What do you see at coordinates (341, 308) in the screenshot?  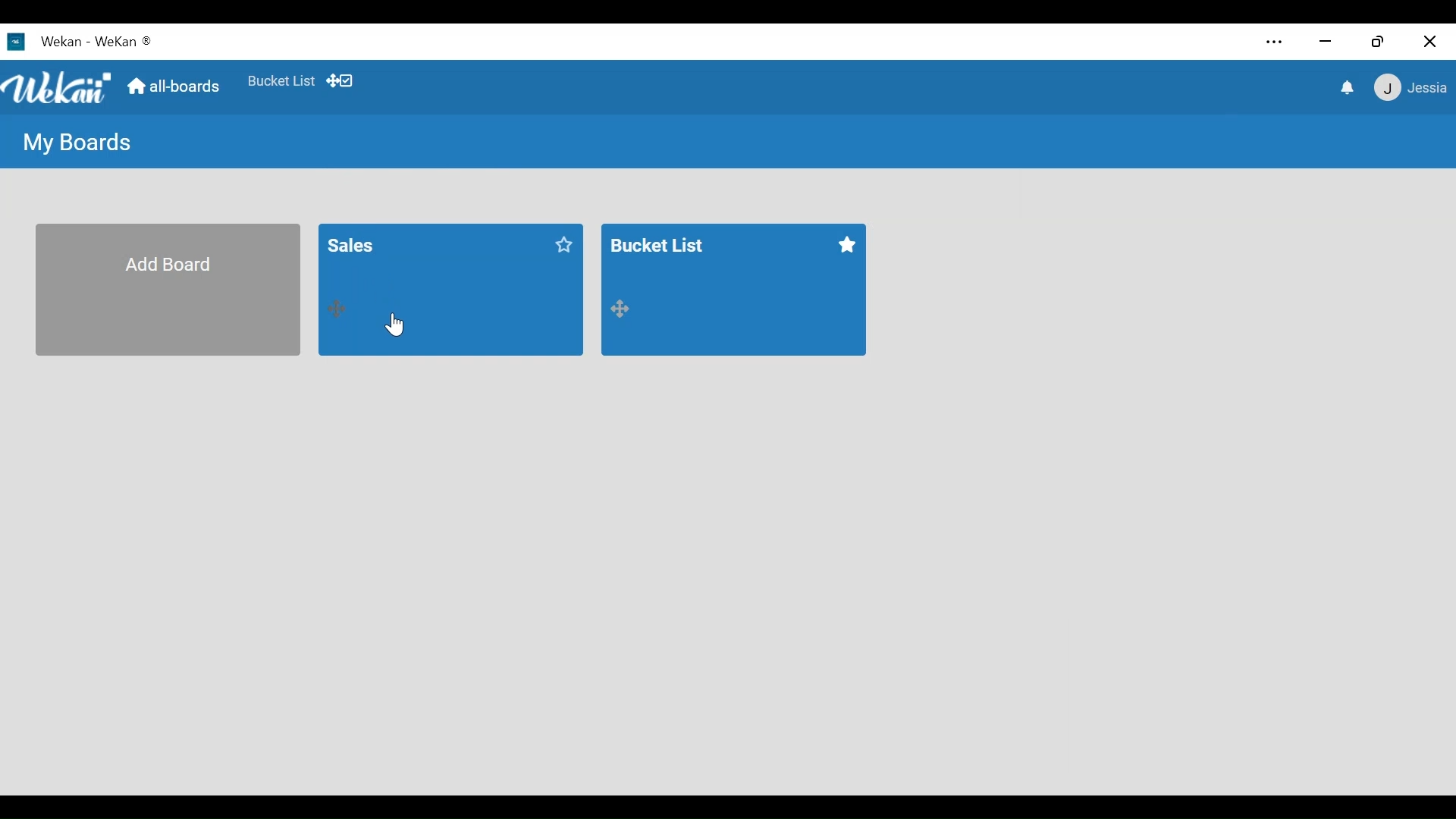 I see `action` at bounding box center [341, 308].